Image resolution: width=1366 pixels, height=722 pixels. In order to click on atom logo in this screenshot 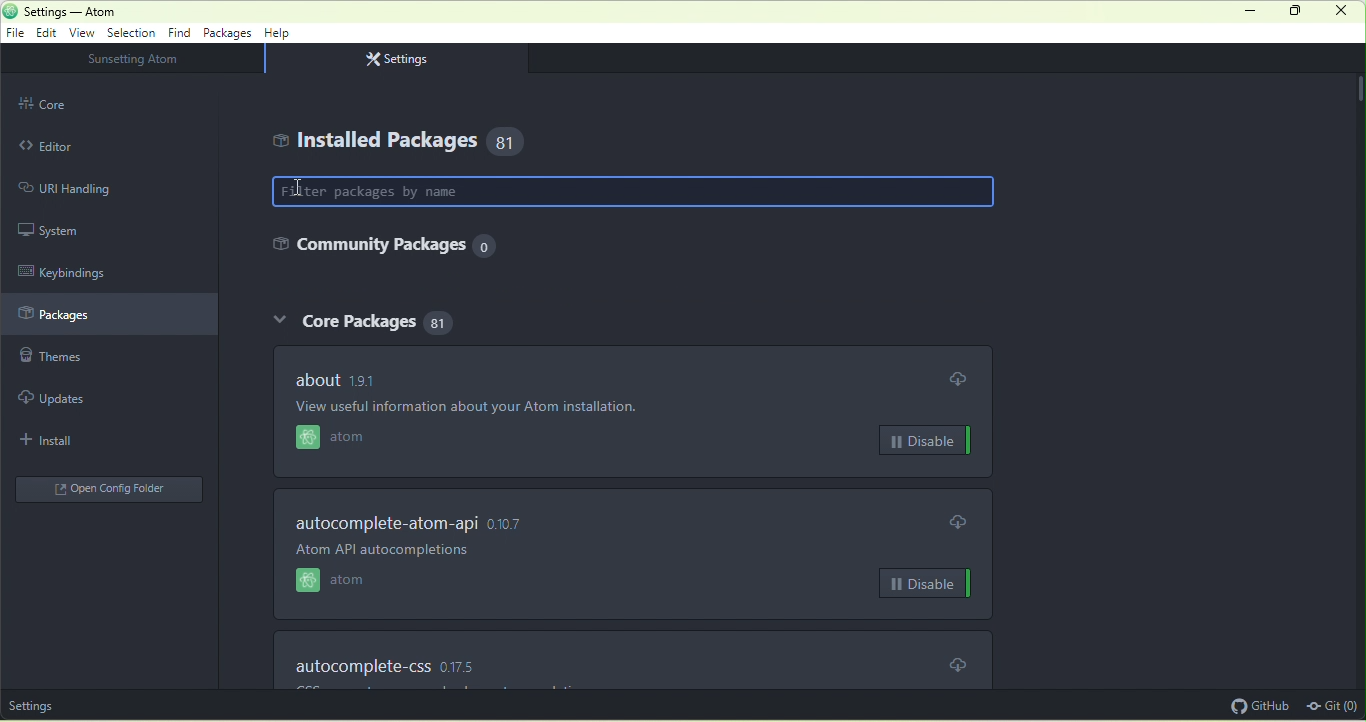, I will do `click(301, 582)`.